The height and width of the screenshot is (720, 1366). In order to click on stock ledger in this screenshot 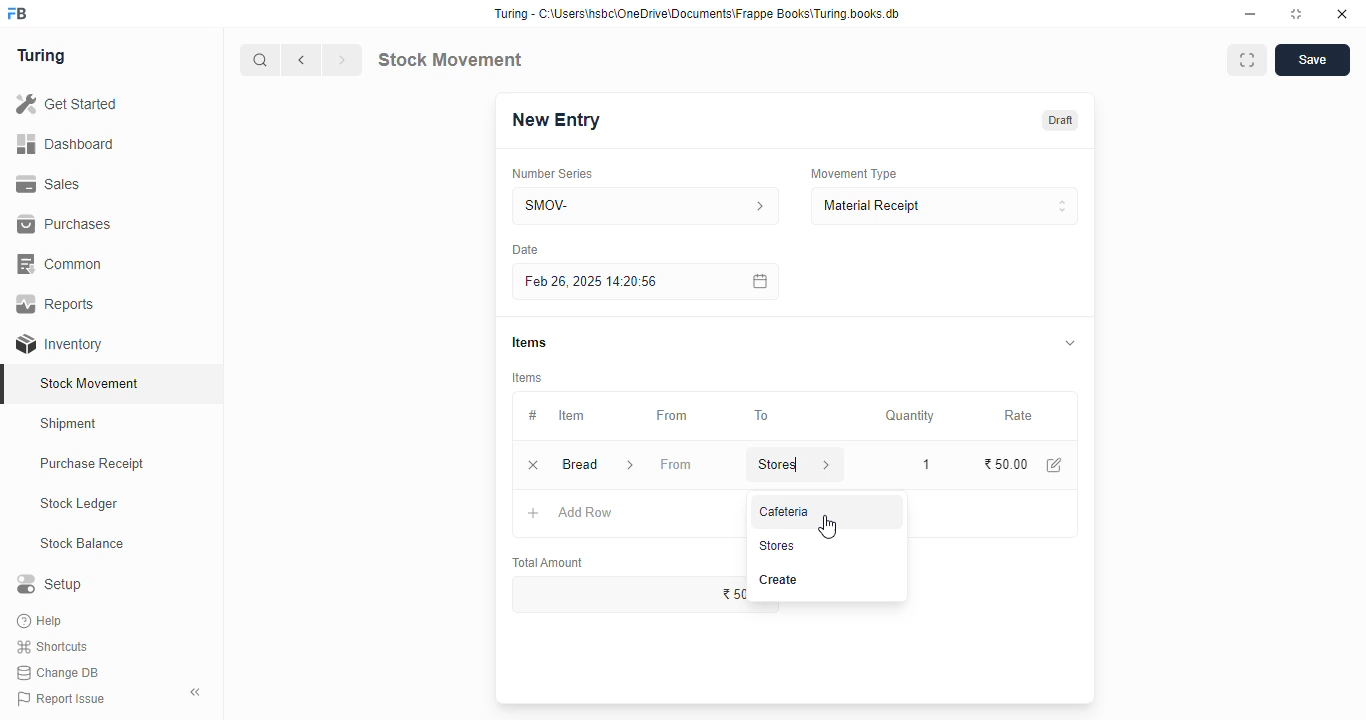, I will do `click(80, 504)`.